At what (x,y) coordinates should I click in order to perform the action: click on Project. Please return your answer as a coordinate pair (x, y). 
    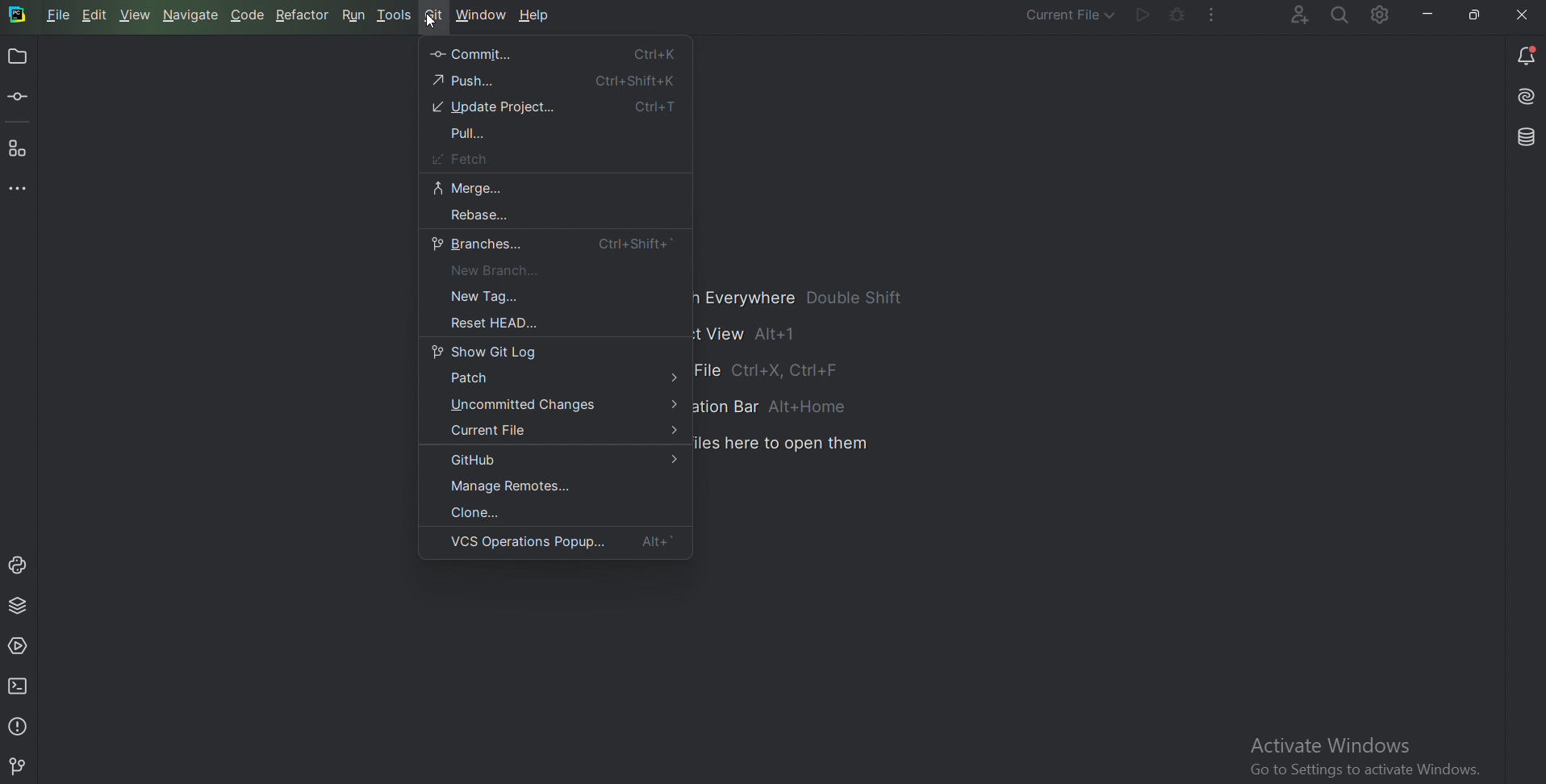
    Looking at the image, I should click on (17, 58).